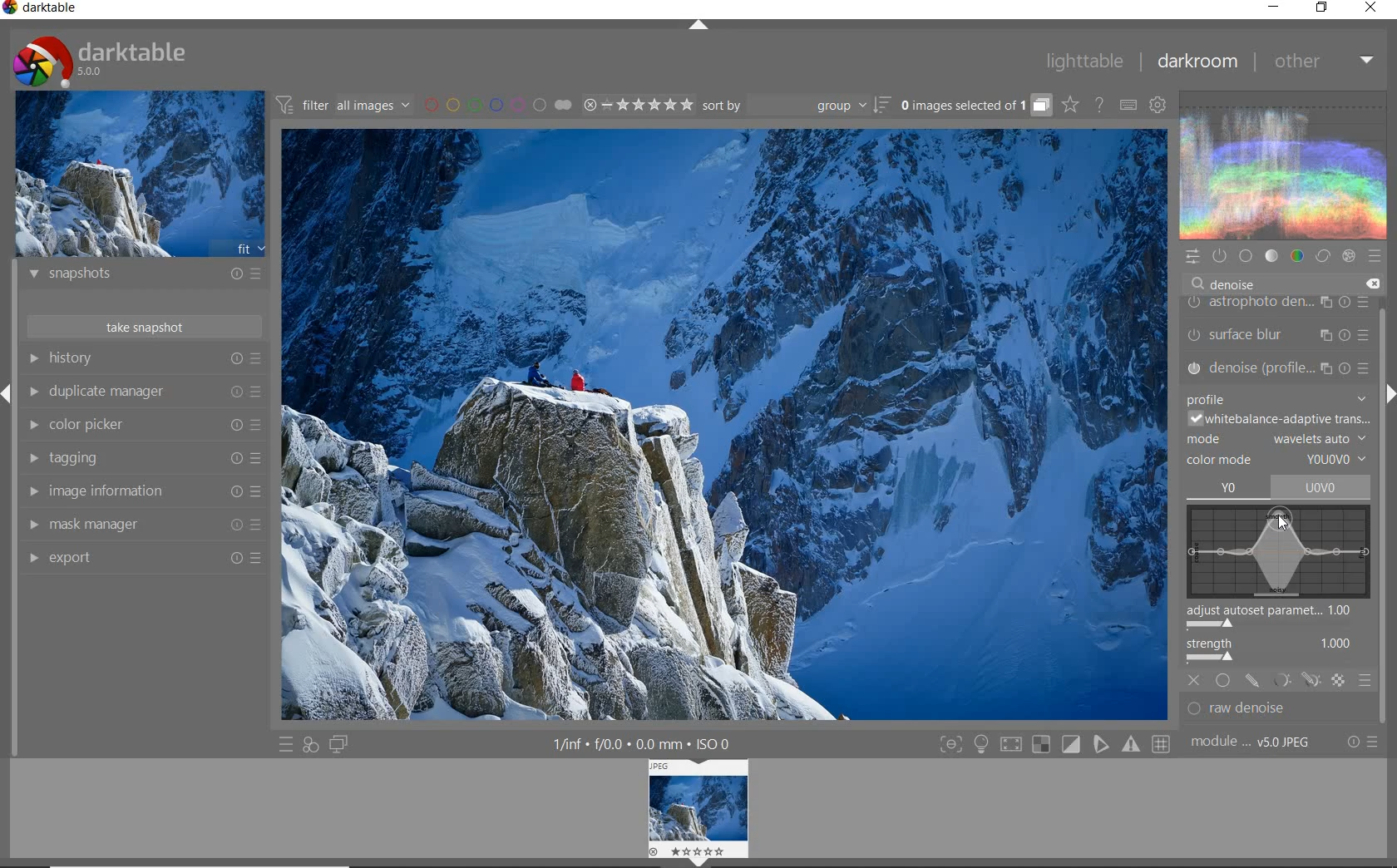 This screenshot has width=1397, height=868. I want to click on RAW DENOISE, so click(1264, 710).